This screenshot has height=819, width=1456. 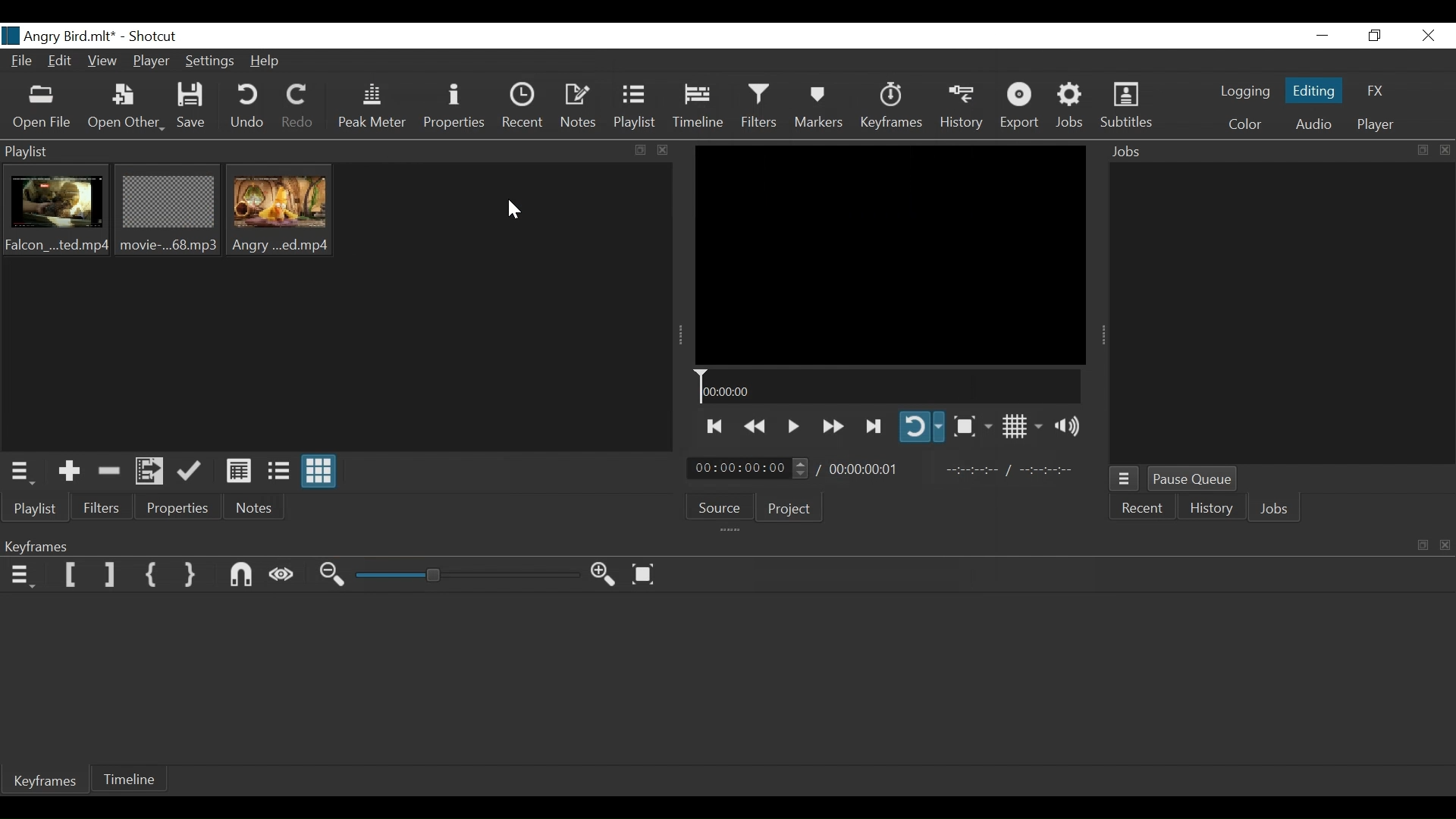 What do you see at coordinates (1312, 89) in the screenshot?
I see `Editing` at bounding box center [1312, 89].